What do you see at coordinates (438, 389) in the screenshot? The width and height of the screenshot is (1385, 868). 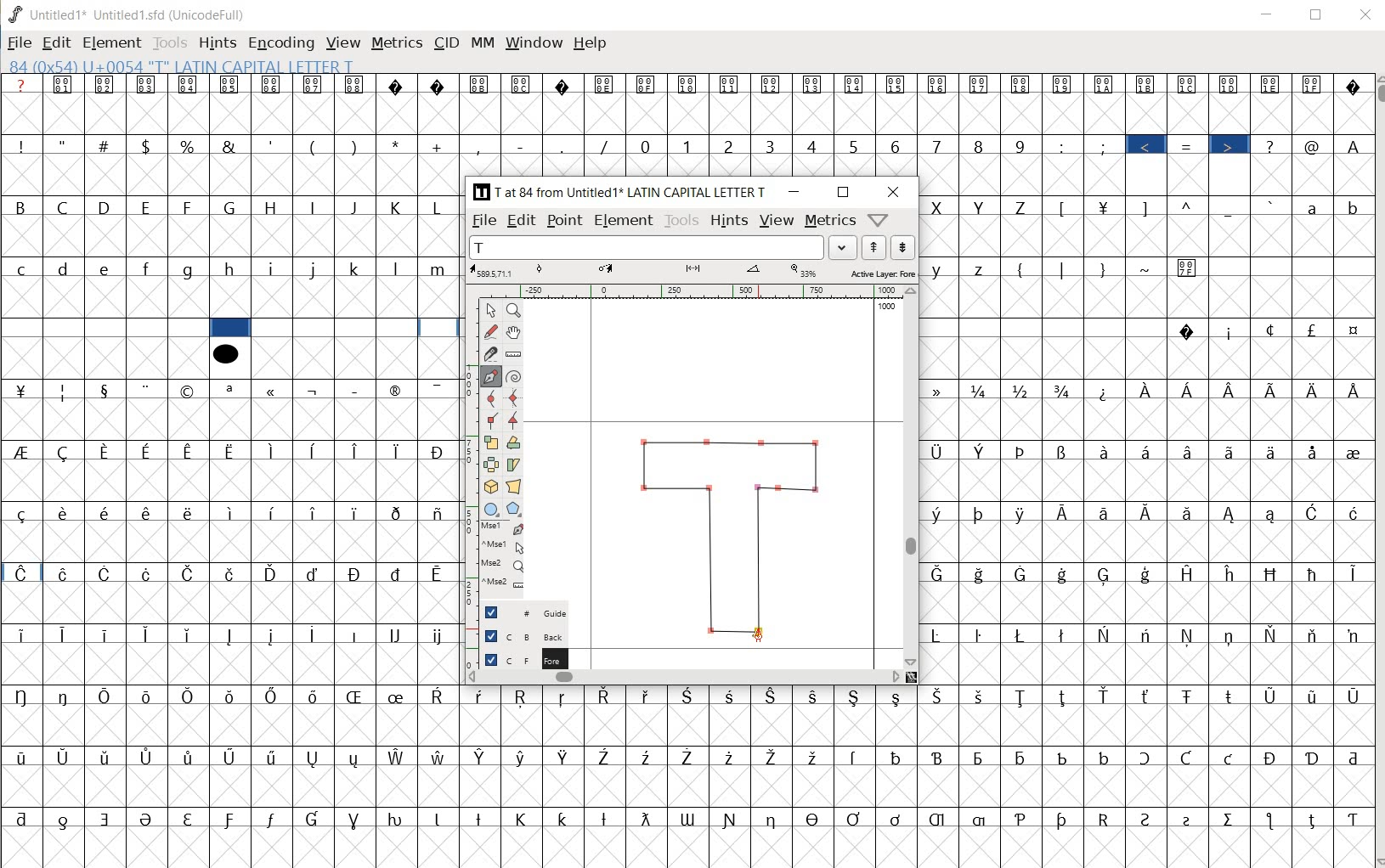 I see `Symbol` at bounding box center [438, 389].